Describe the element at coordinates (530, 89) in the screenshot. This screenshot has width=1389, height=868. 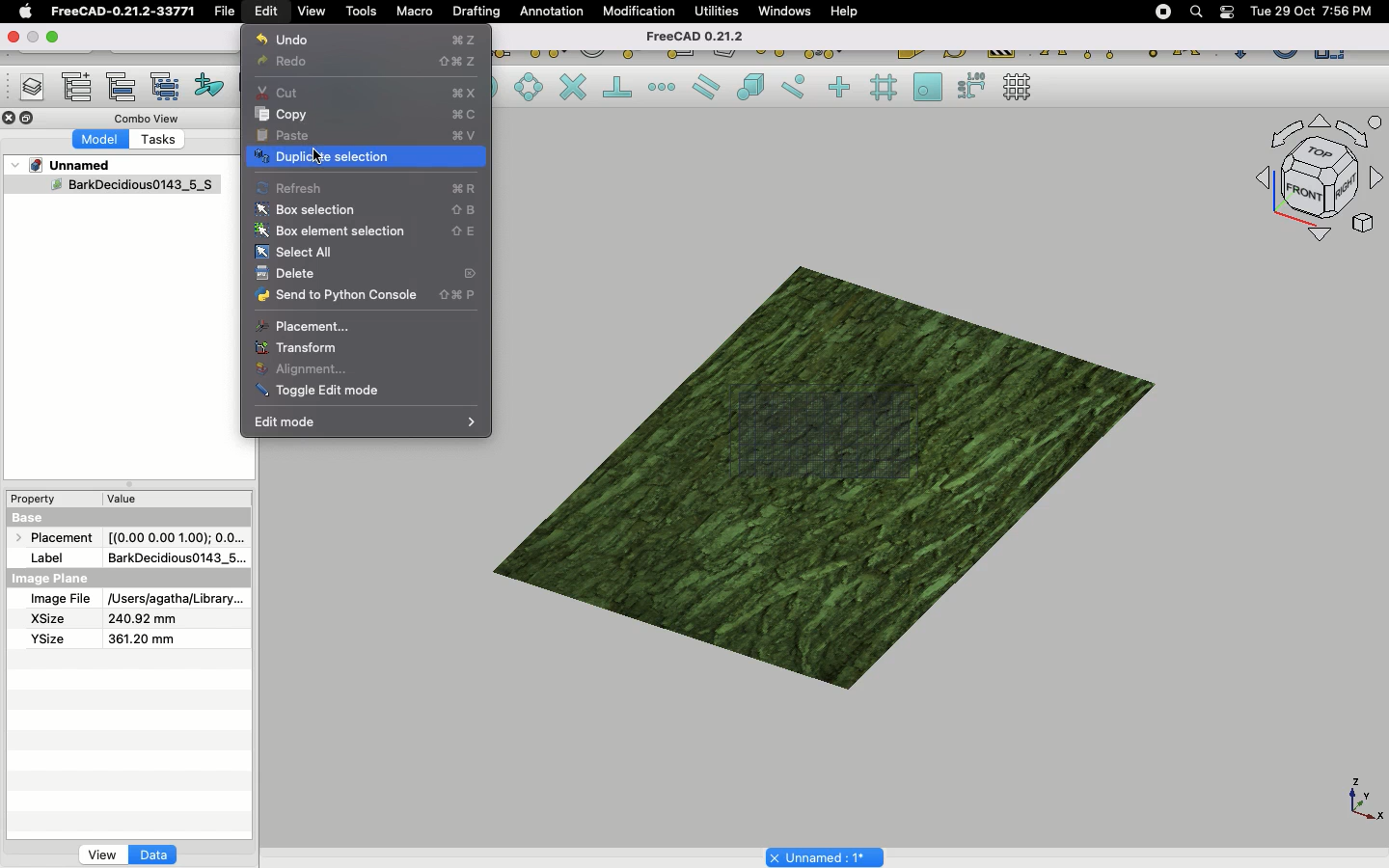
I see `Snap angle` at that location.